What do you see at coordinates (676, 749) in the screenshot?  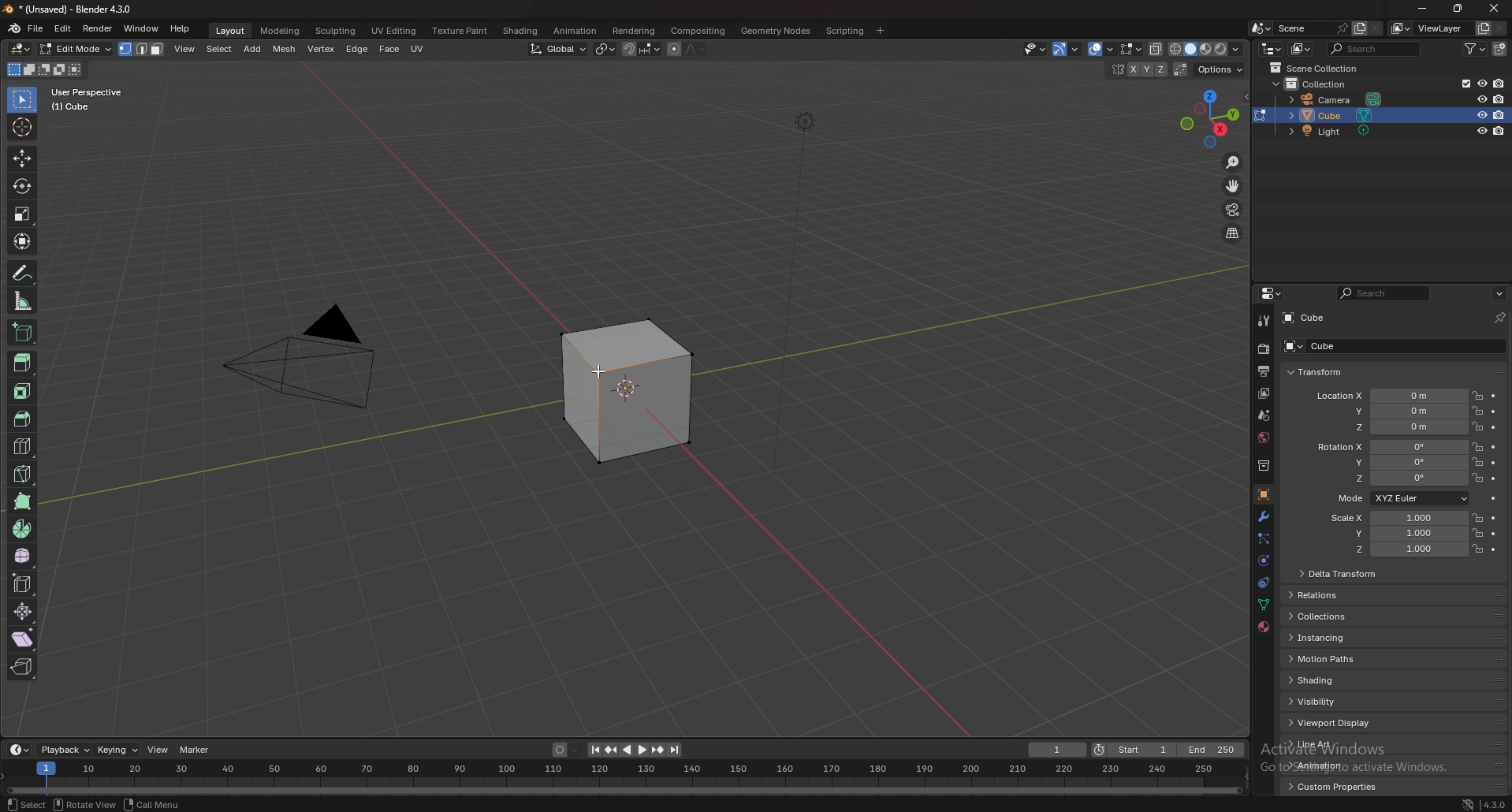 I see `jump to endpoint` at bounding box center [676, 749].